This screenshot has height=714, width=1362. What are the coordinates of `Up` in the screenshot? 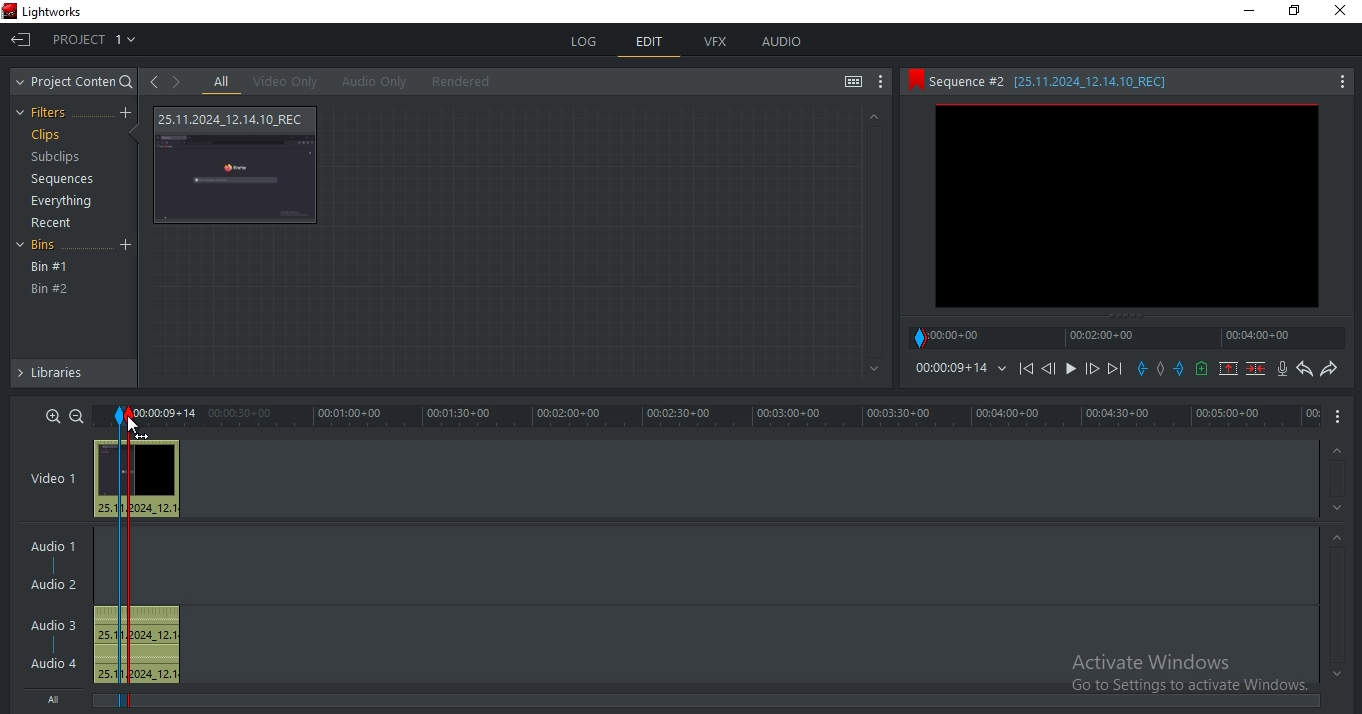 It's located at (1338, 537).